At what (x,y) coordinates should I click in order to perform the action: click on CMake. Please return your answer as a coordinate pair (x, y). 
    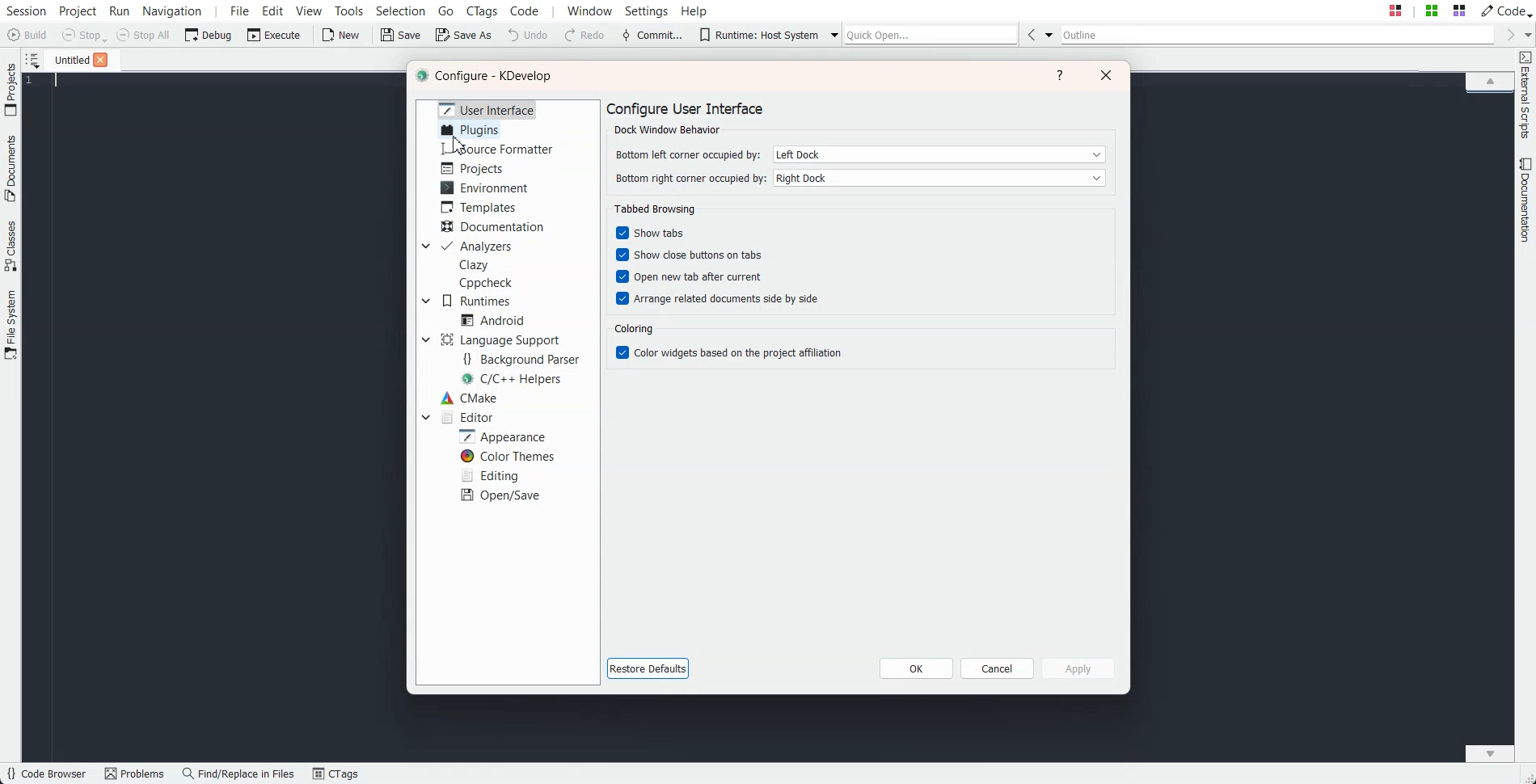
    Looking at the image, I should click on (468, 398).